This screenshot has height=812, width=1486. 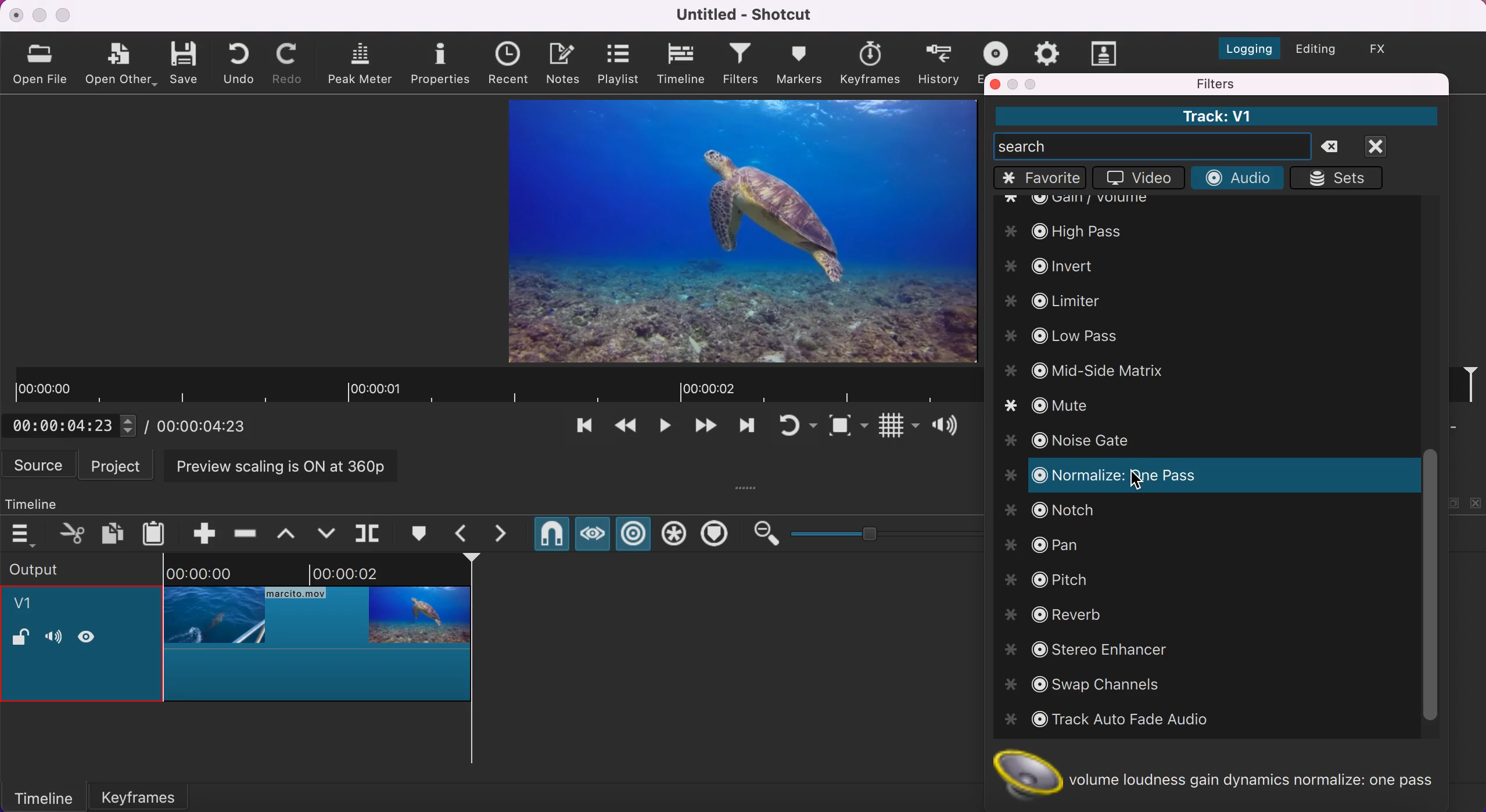 I want to click on next marker, so click(x=508, y=534).